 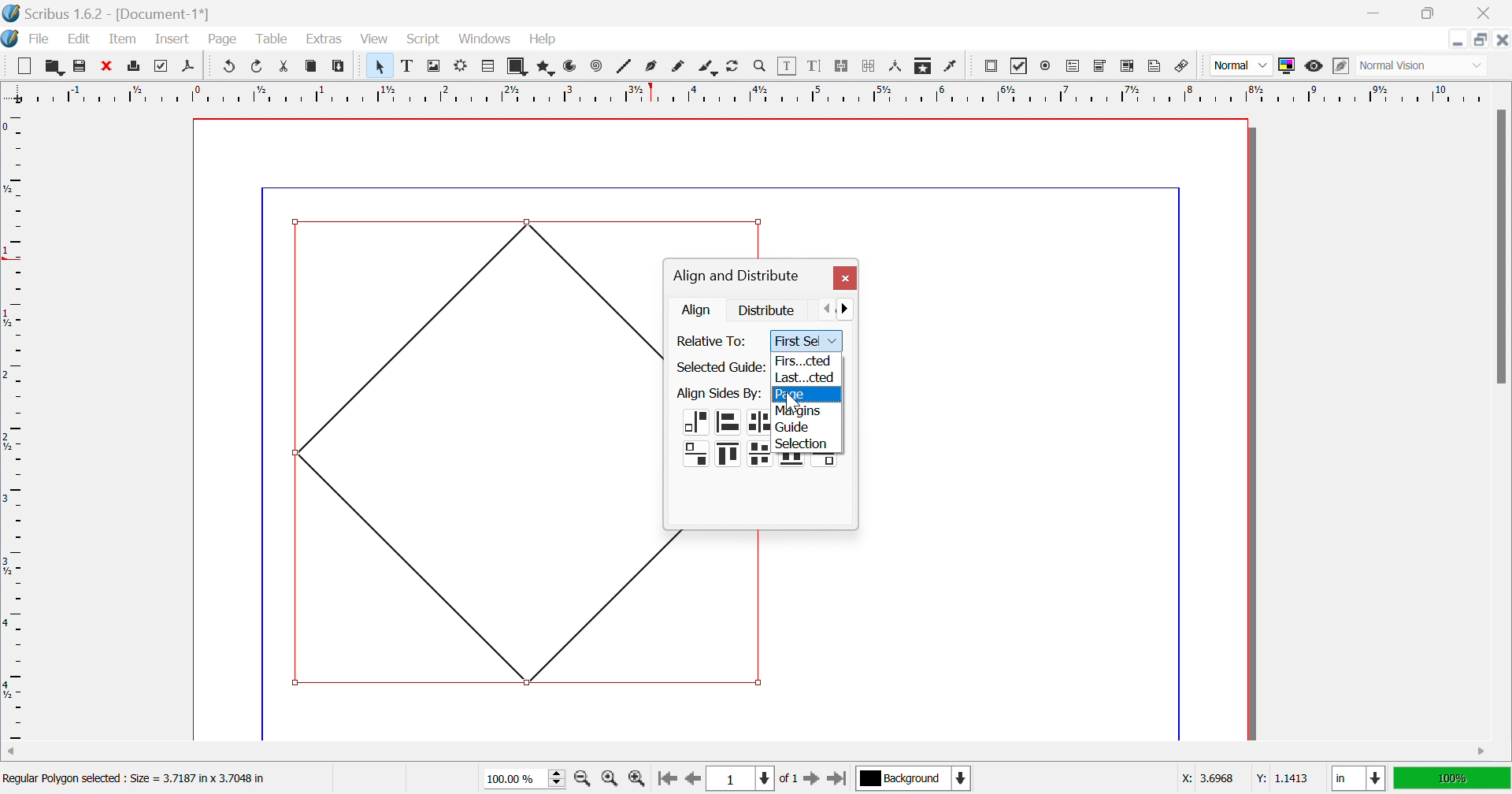 What do you see at coordinates (1450, 777) in the screenshot?
I see `100%` at bounding box center [1450, 777].